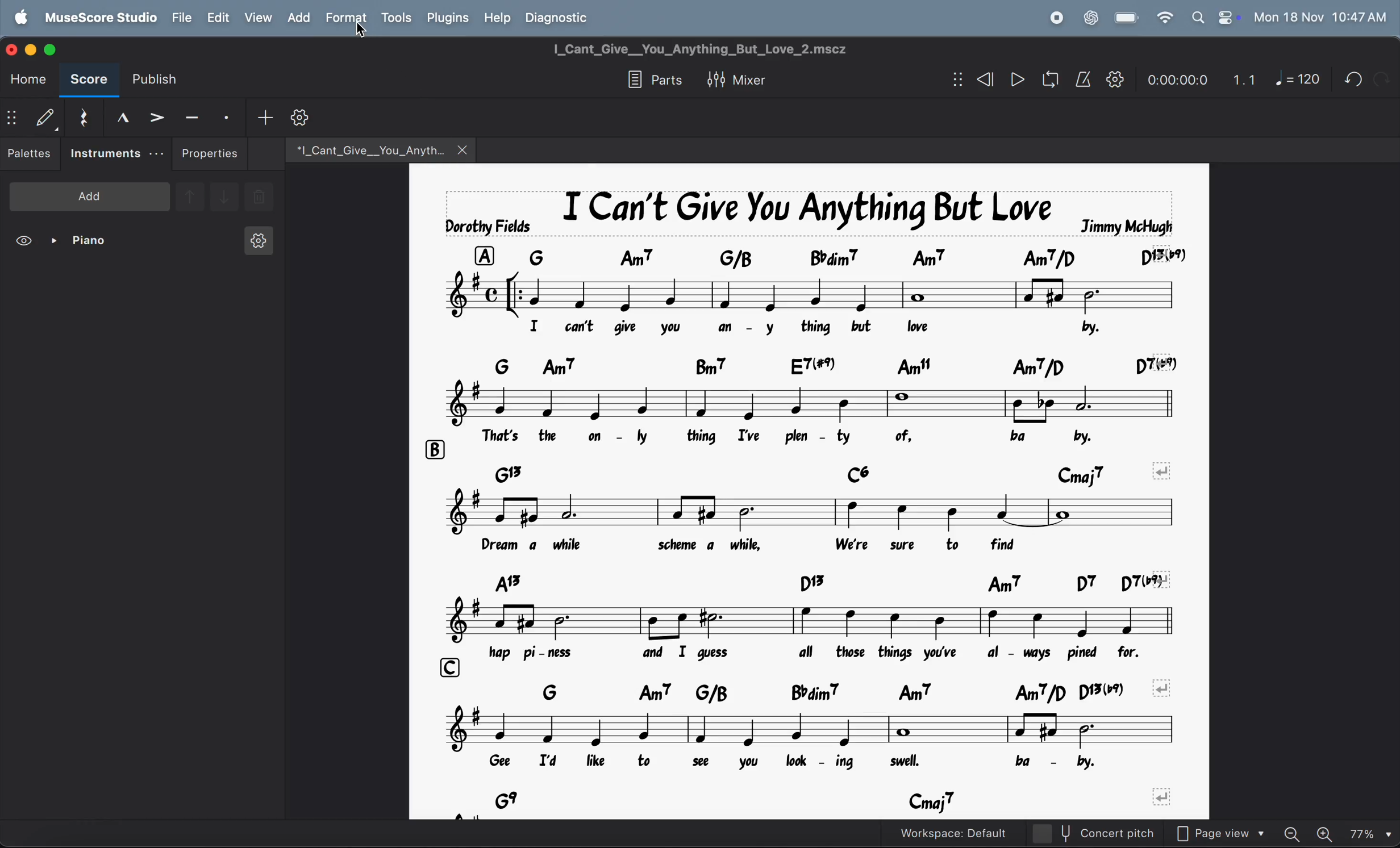  What do you see at coordinates (1226, 17) in the screenshot?
I see `control center` at bounding box center [1226, 17].